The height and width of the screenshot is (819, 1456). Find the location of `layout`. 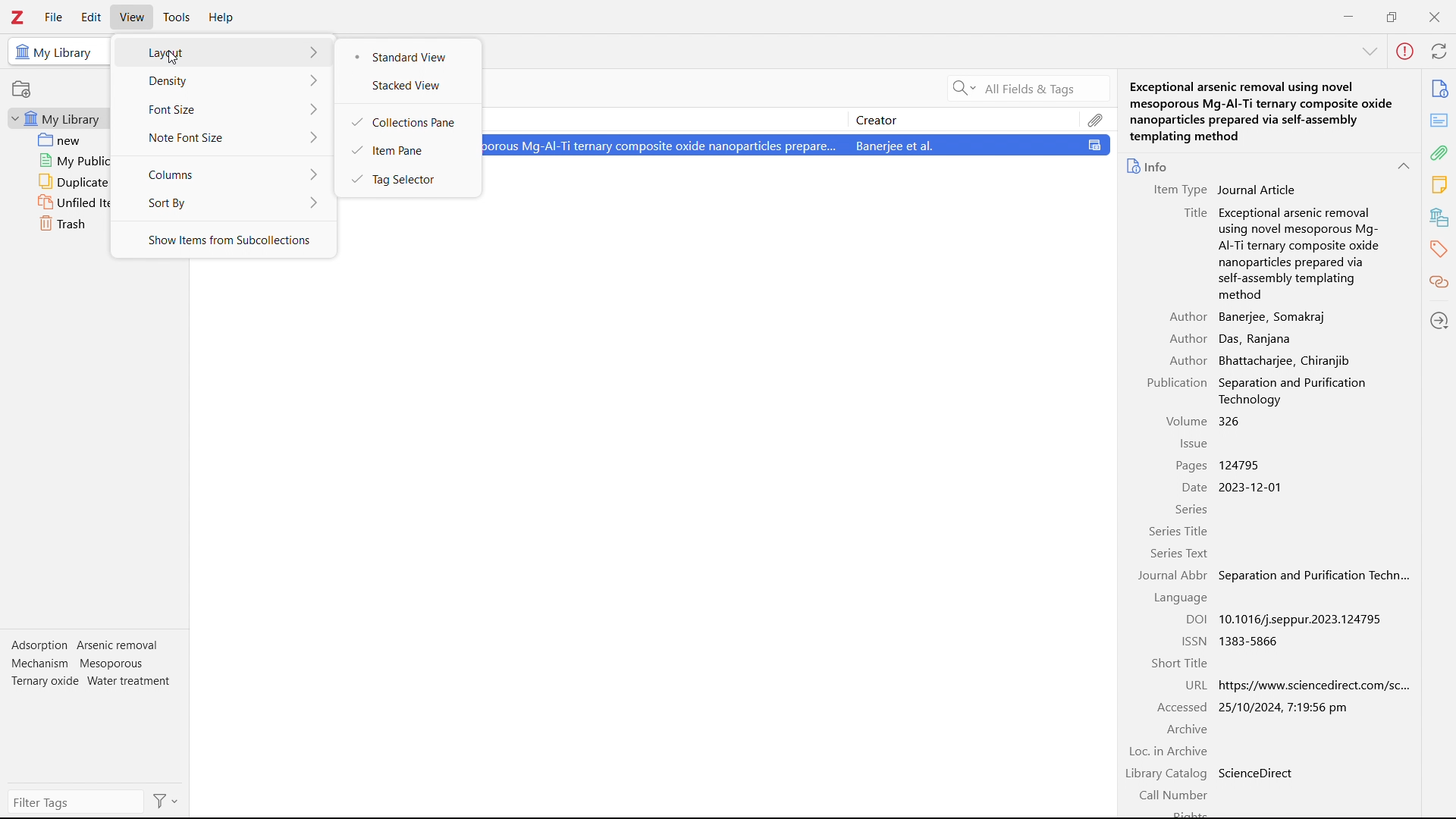

layout is located at coordinates (224, 52).